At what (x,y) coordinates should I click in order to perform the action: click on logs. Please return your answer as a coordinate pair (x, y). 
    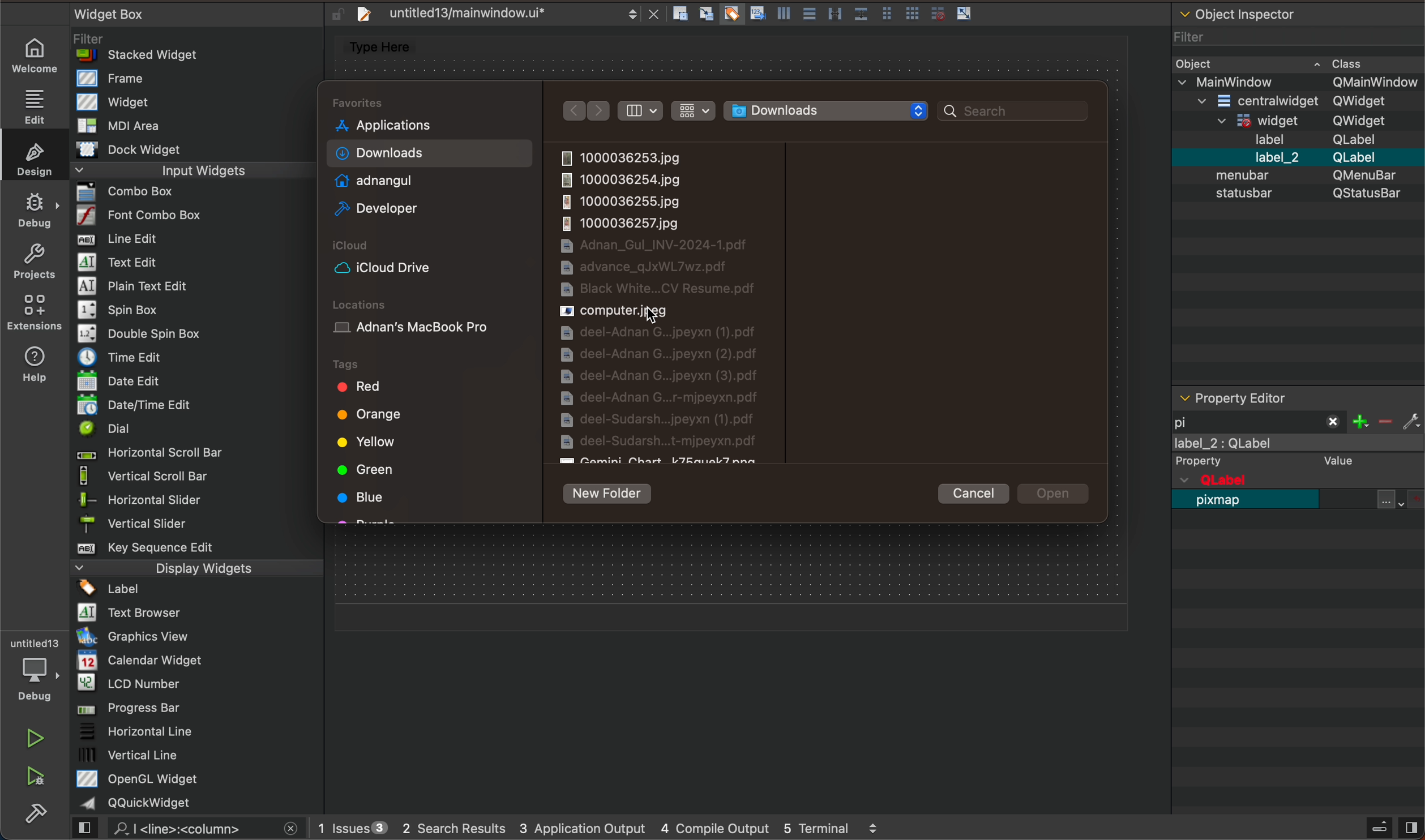
    Looking at the image, I should click on (605, 830).